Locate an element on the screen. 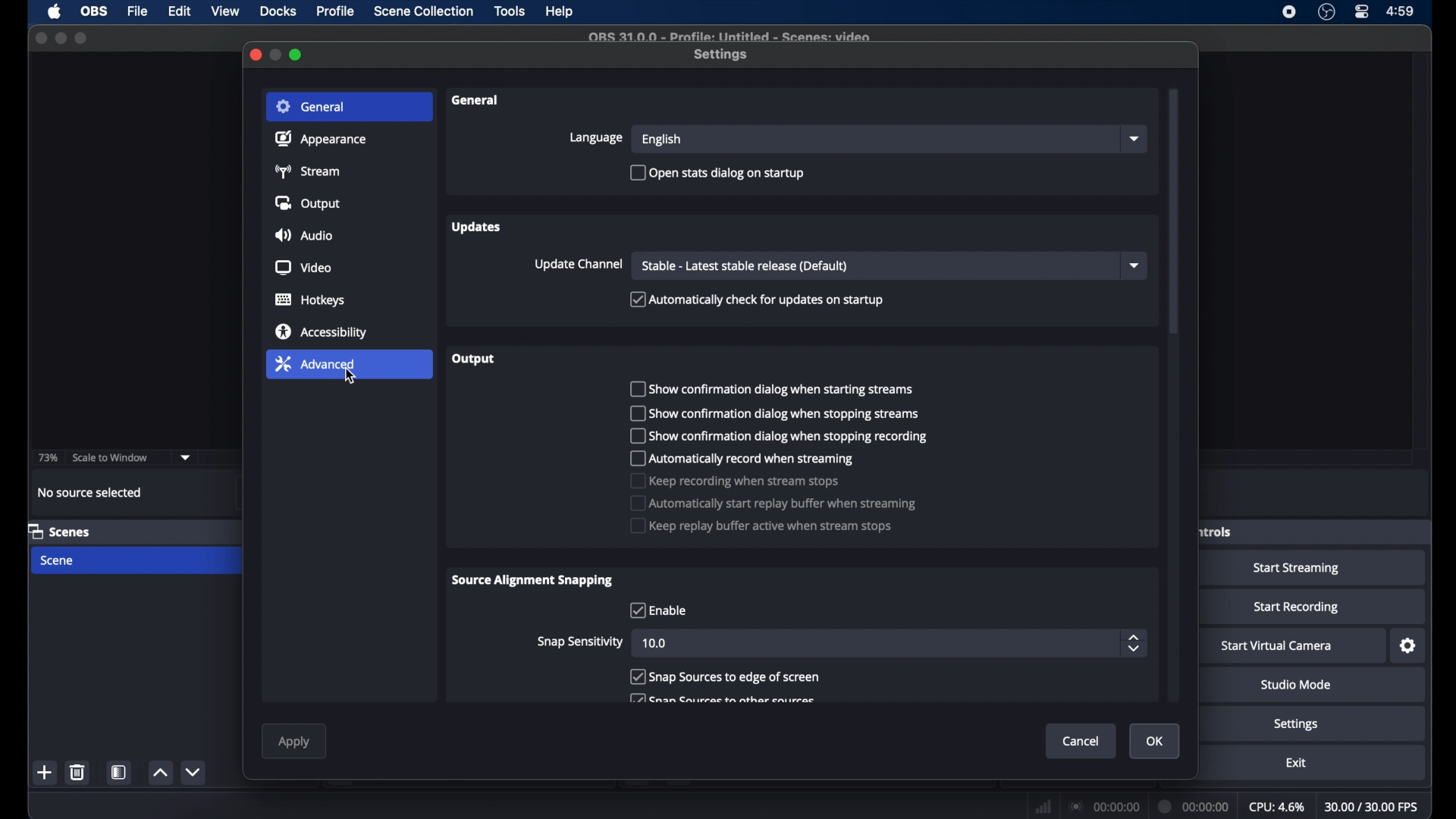  edit is located at coordinates (178, 11).